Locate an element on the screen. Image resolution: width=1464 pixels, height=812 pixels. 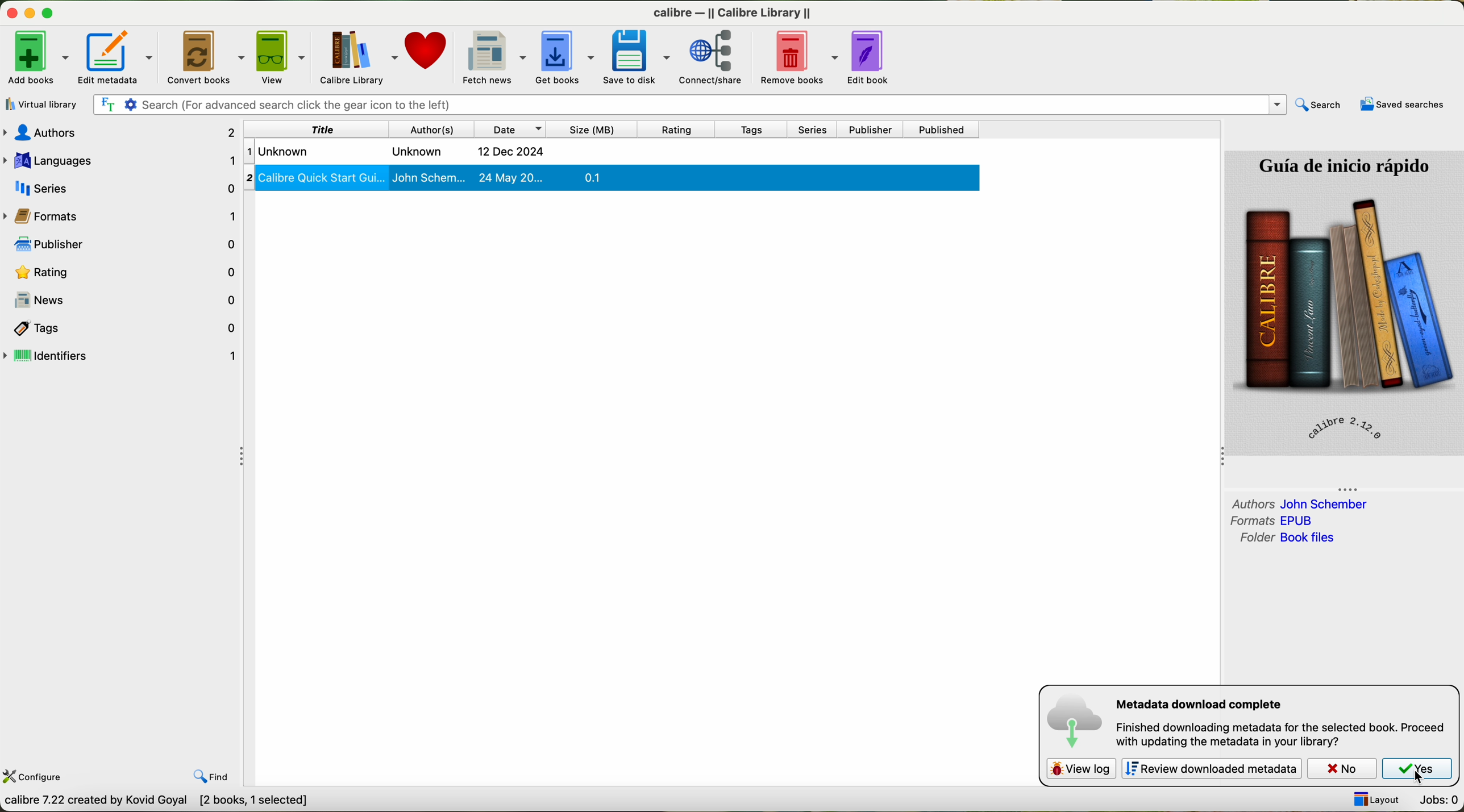
save to disk is located at coordinates (639, 56).